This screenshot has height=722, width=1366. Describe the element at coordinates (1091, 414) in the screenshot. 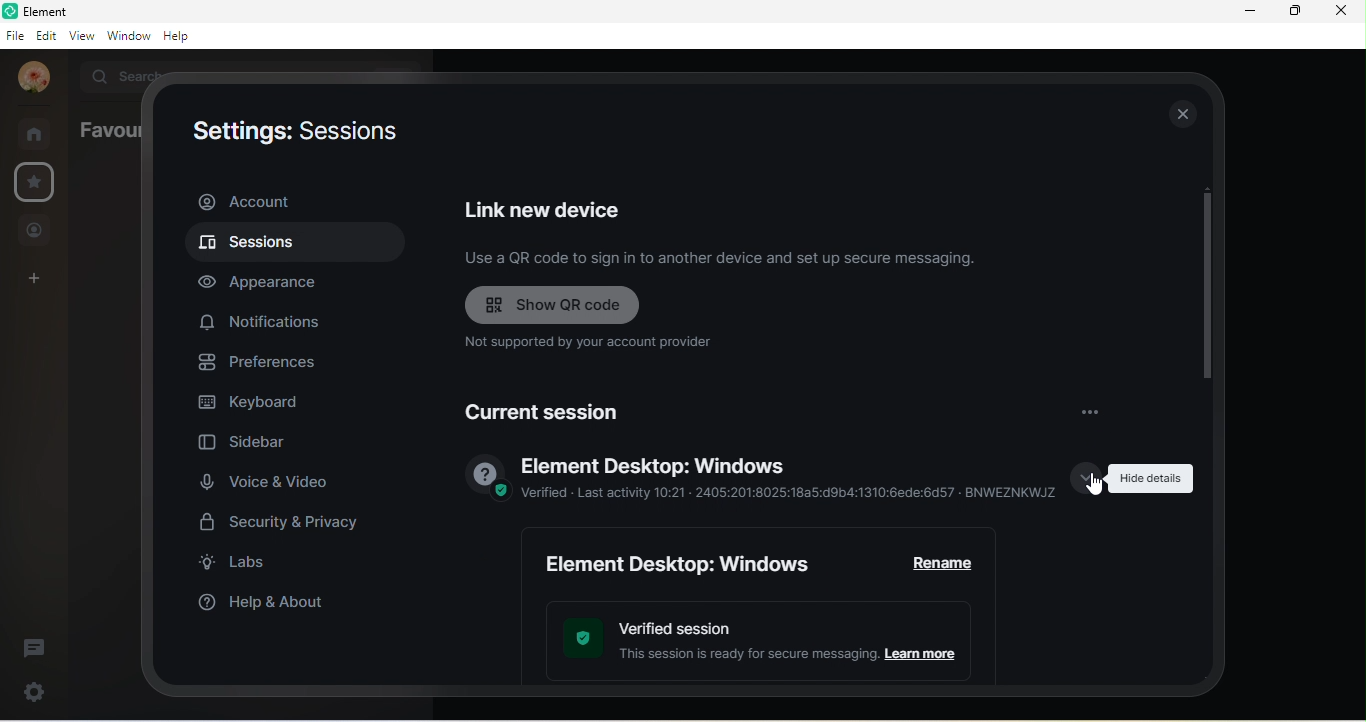

I see `options` at that location.